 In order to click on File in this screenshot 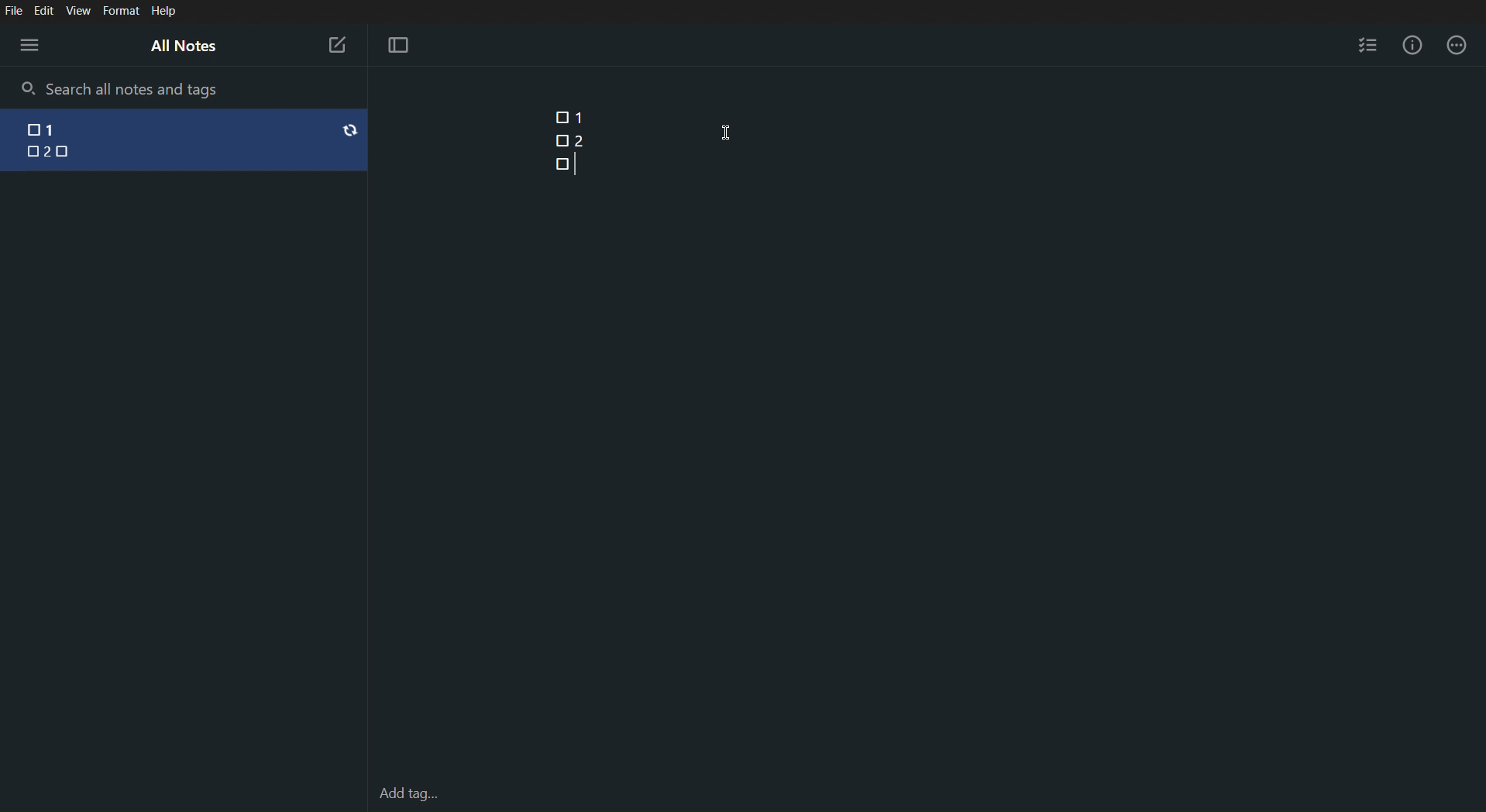, I will do `click(13, 10)`.